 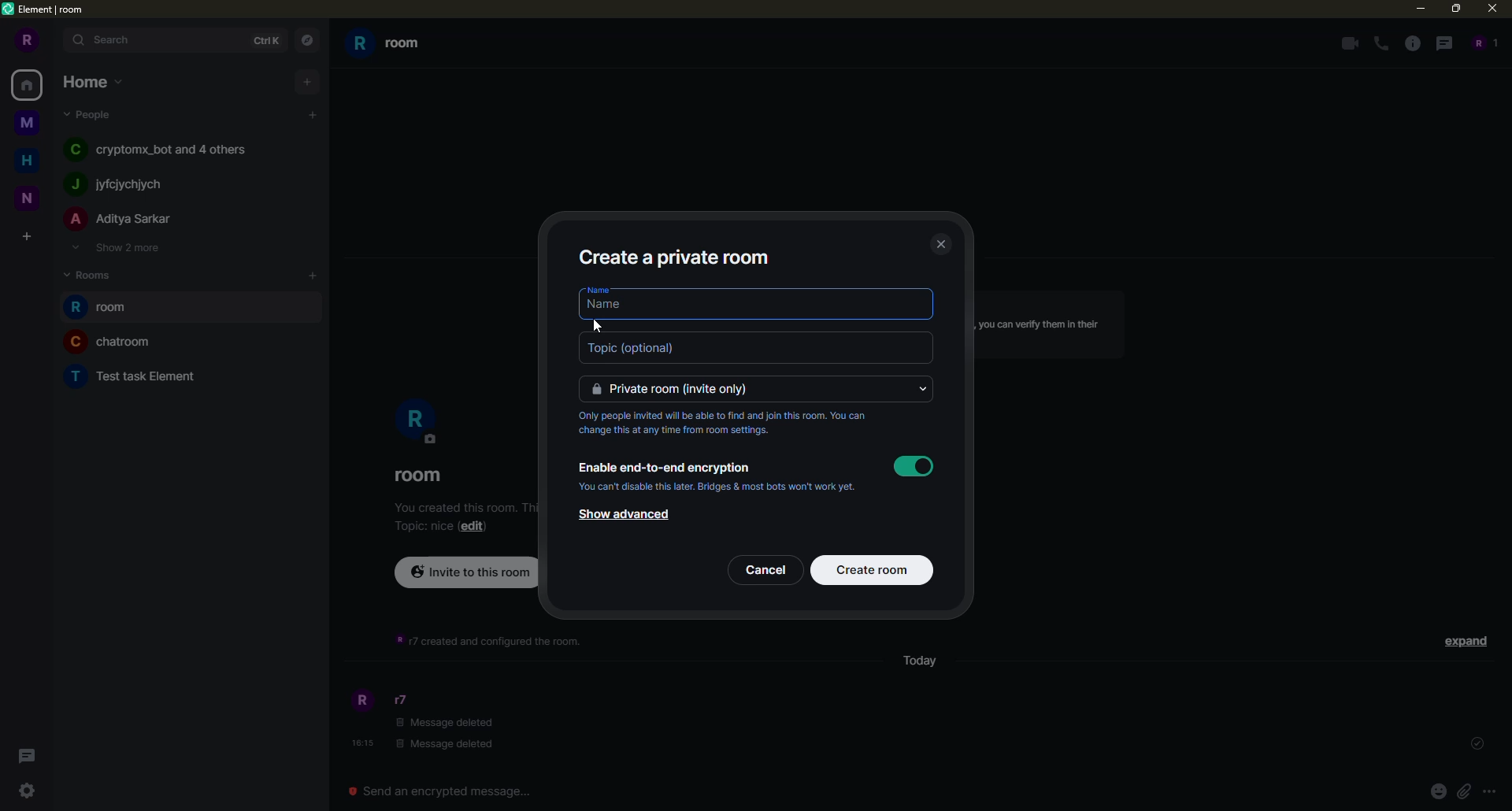 I want to click on name, so click(x=761, y=308).